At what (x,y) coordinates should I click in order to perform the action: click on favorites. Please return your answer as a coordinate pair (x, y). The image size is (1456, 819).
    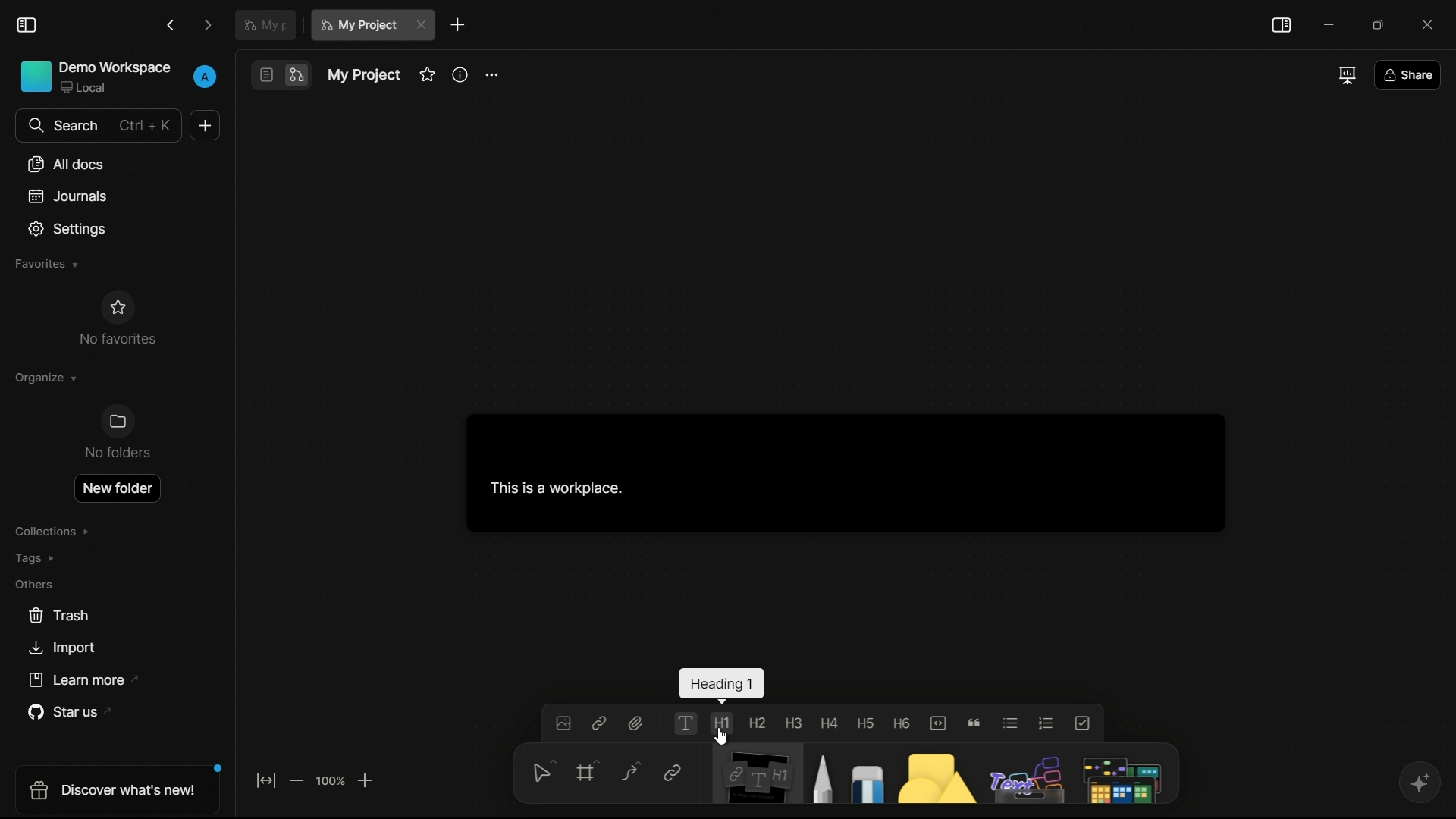
    Looking at the image, I should click on (426, 75).